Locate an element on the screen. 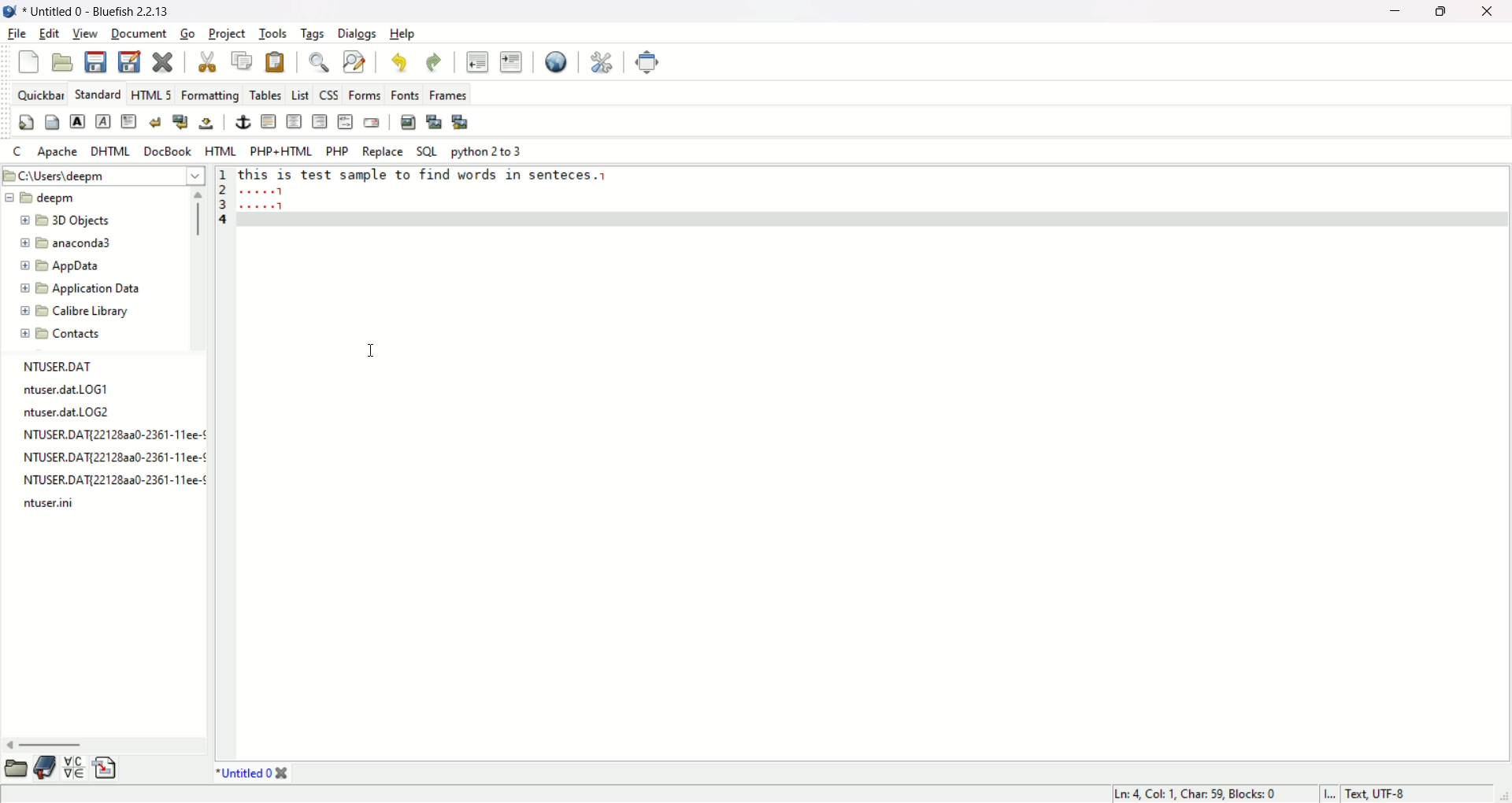 Image resolution: width=1512 pixels, height=803 pixels. insert image is located at coordinates (409, 122).